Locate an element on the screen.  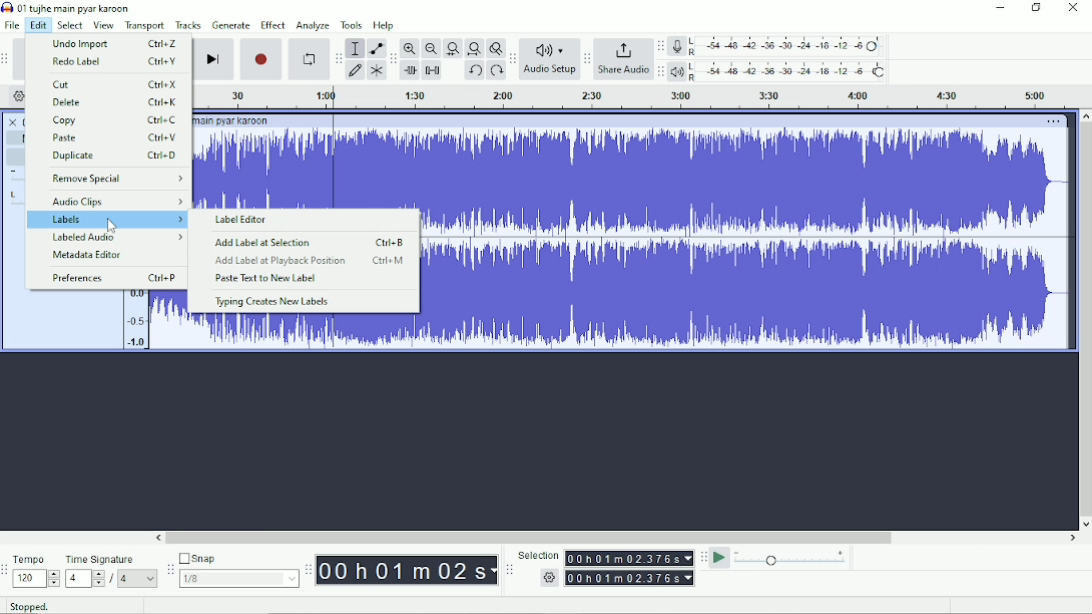
Audio Setup is located at coordinates (549, 60).